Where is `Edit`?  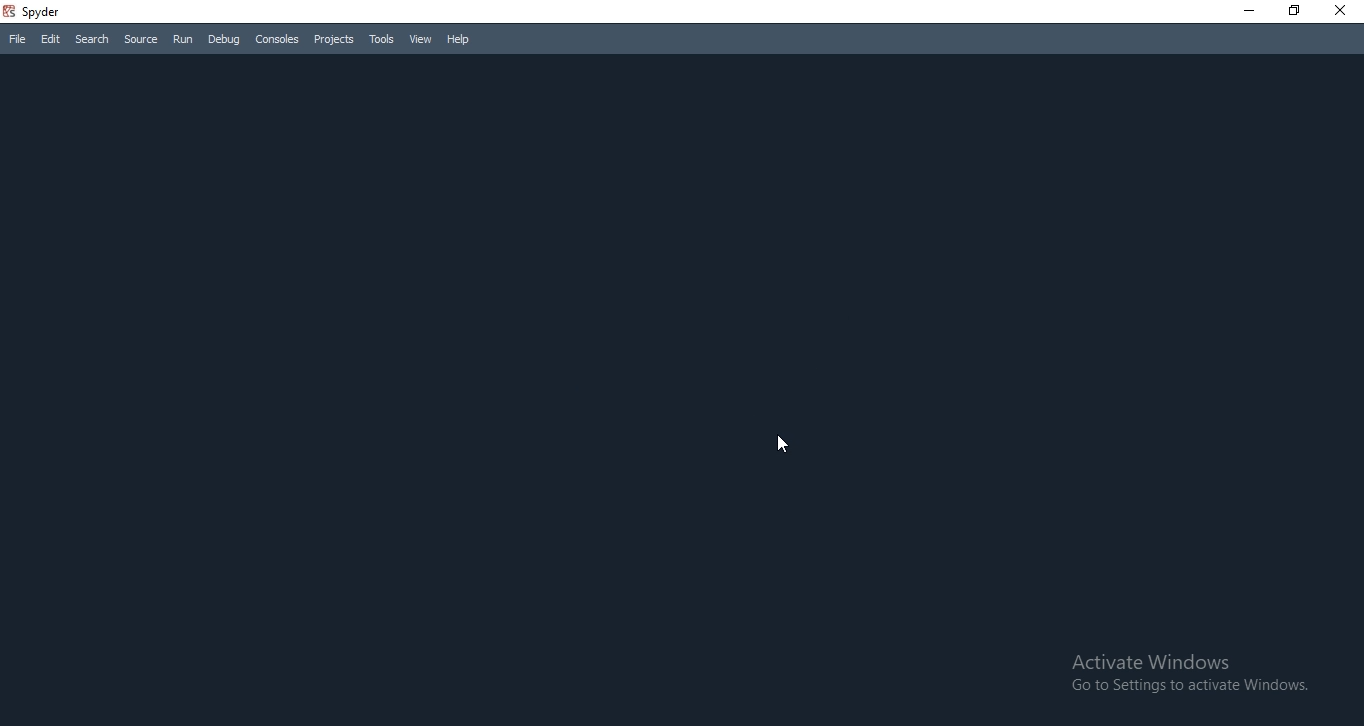
Edit is located at coordinates (48, 39).